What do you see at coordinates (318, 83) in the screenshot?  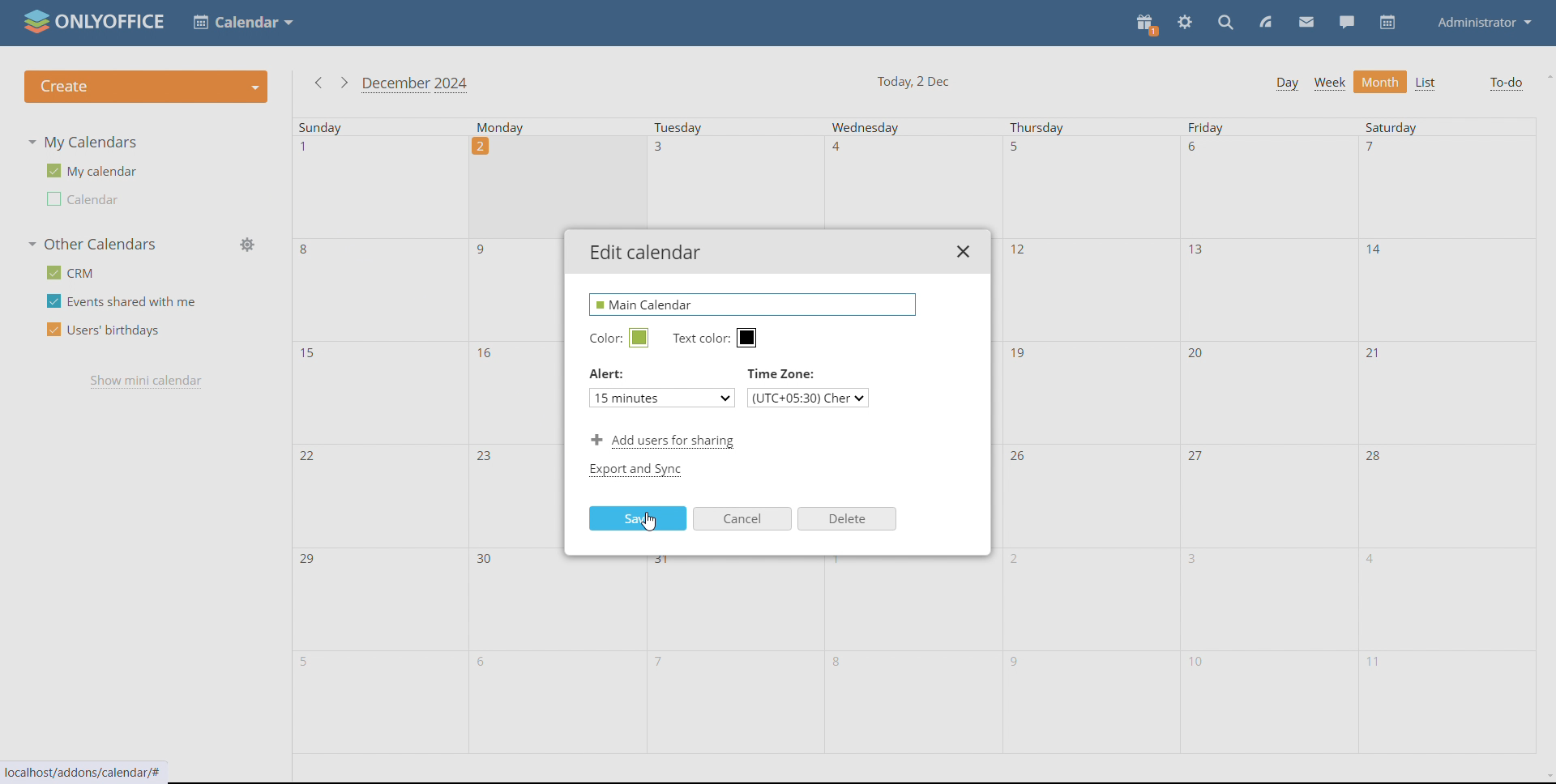 I see `previous month` at bounding box center [318, 83].